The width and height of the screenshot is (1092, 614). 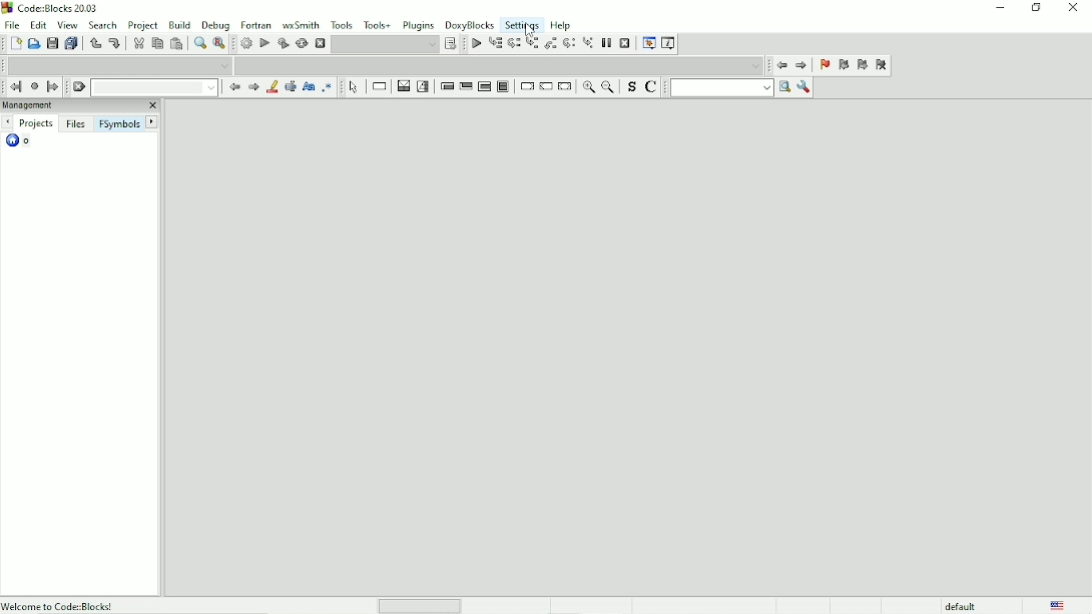 I want to click on Minimize, so click(x=1001, y=8).